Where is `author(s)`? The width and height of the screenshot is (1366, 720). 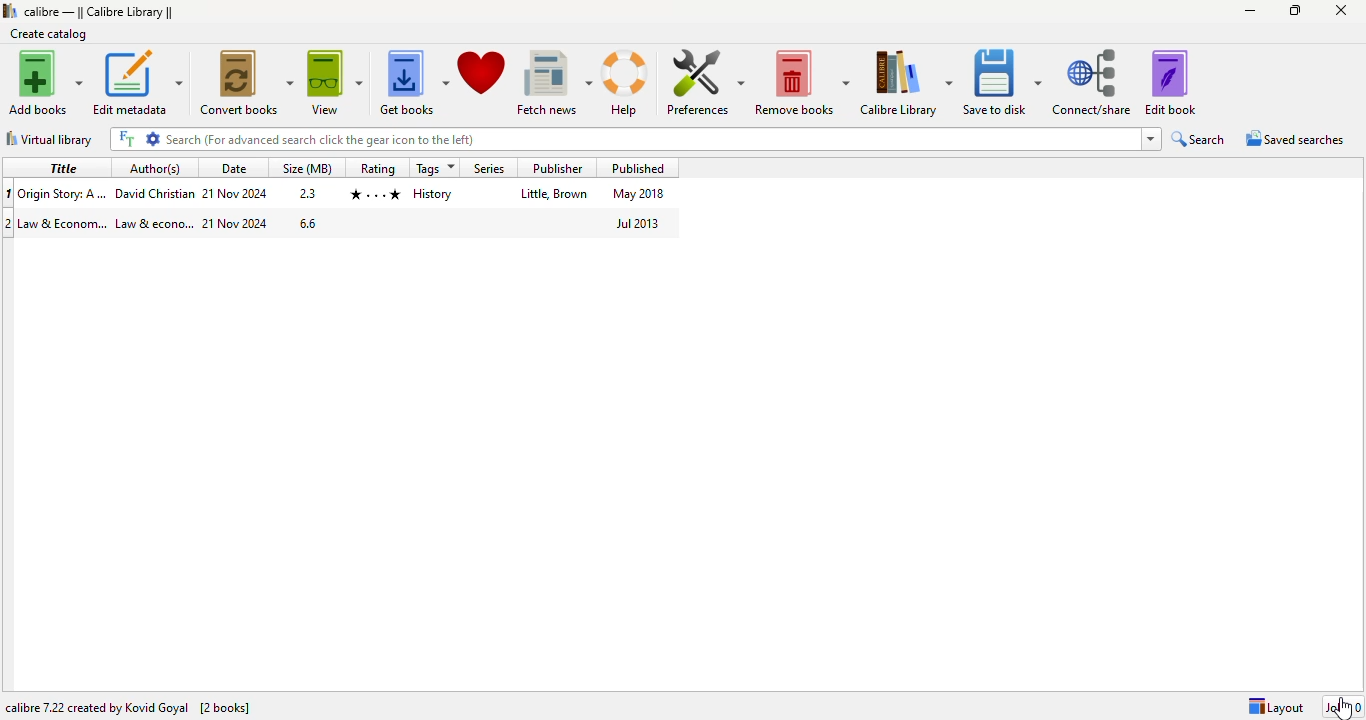
author(s) is located at coordinates (156, 168).